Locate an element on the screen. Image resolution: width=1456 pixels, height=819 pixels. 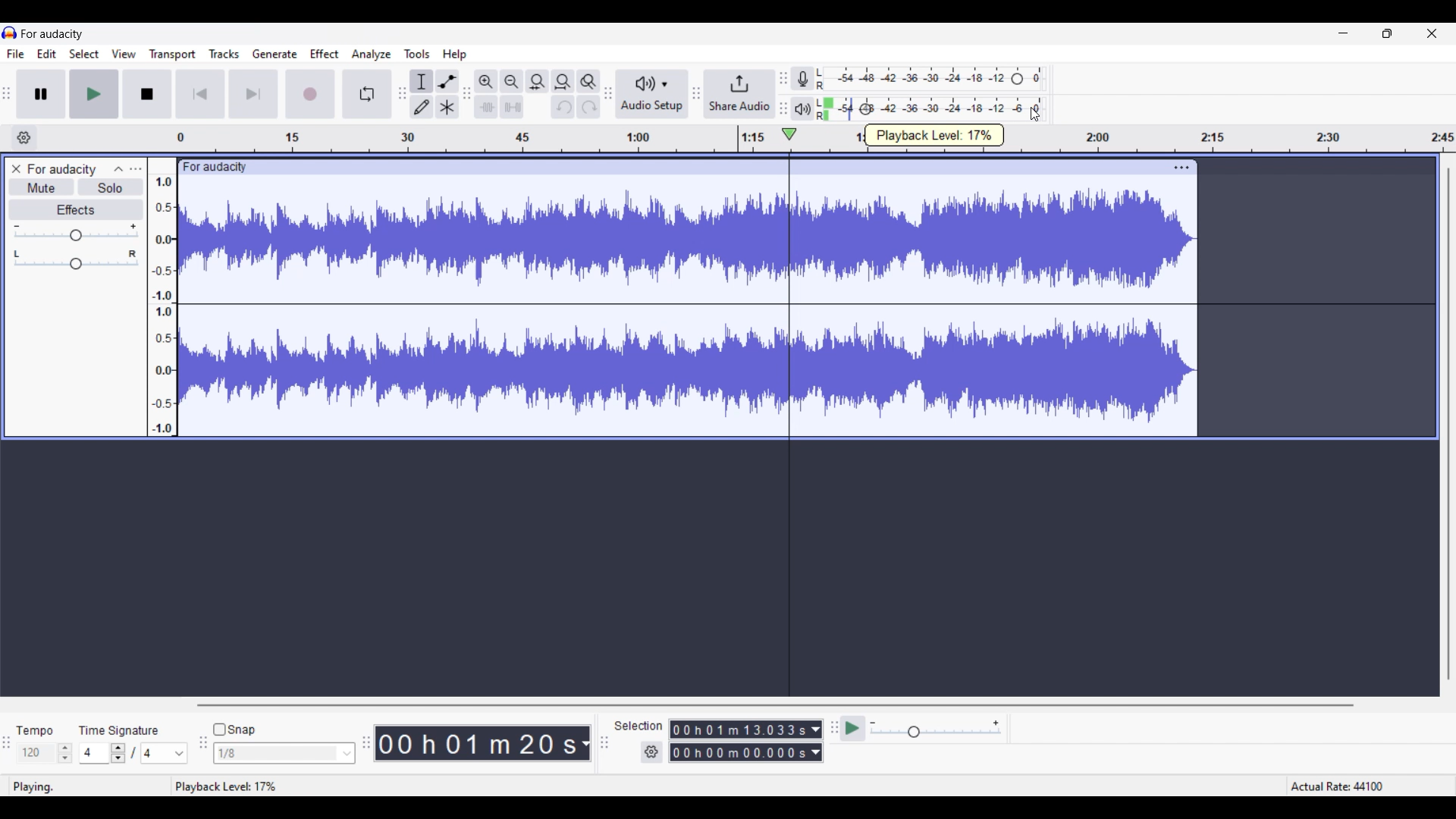
Recording level is located at coordinates (930, 79).